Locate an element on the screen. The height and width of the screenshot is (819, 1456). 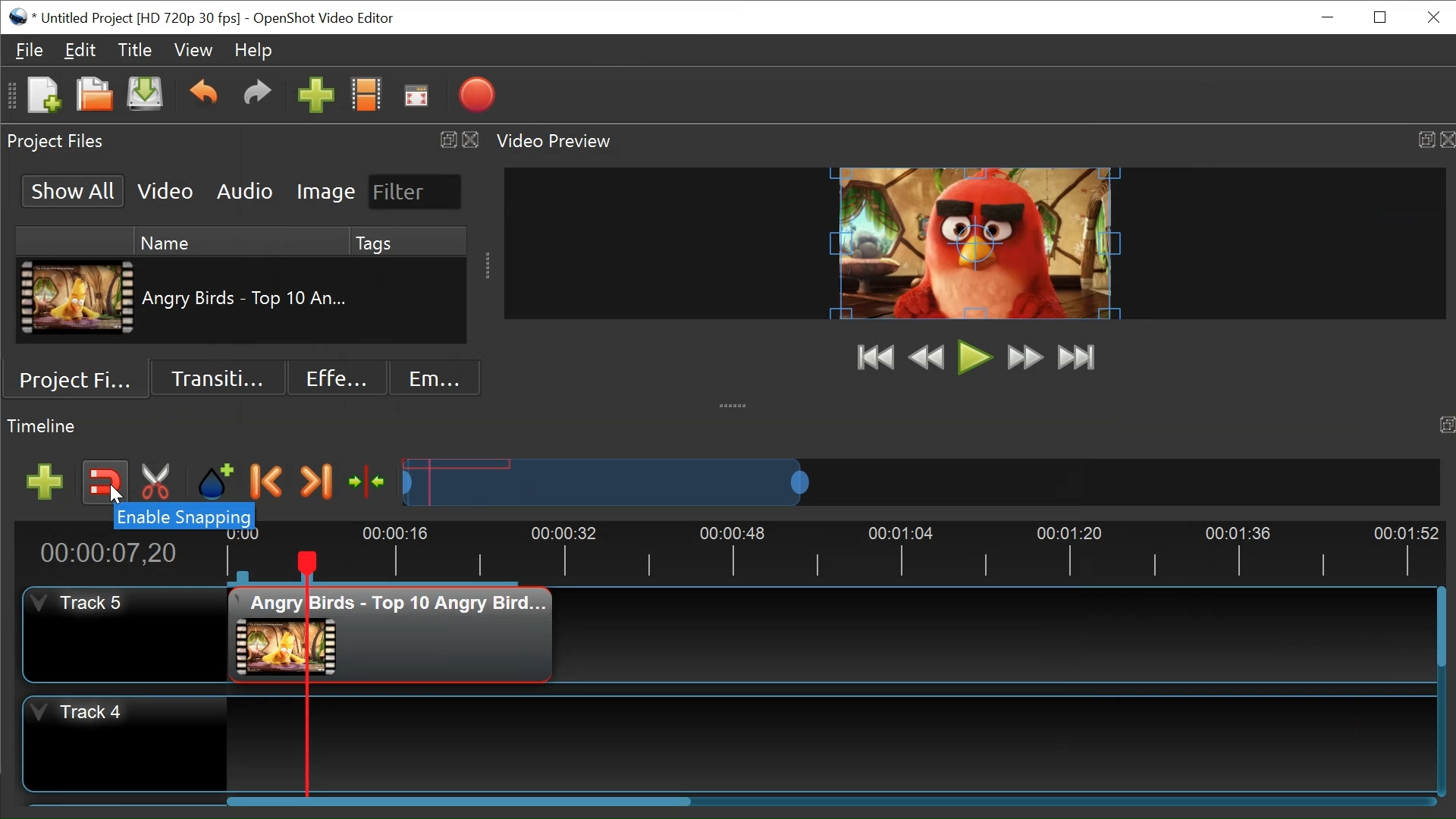
New File is located at coordinates (147, 97).